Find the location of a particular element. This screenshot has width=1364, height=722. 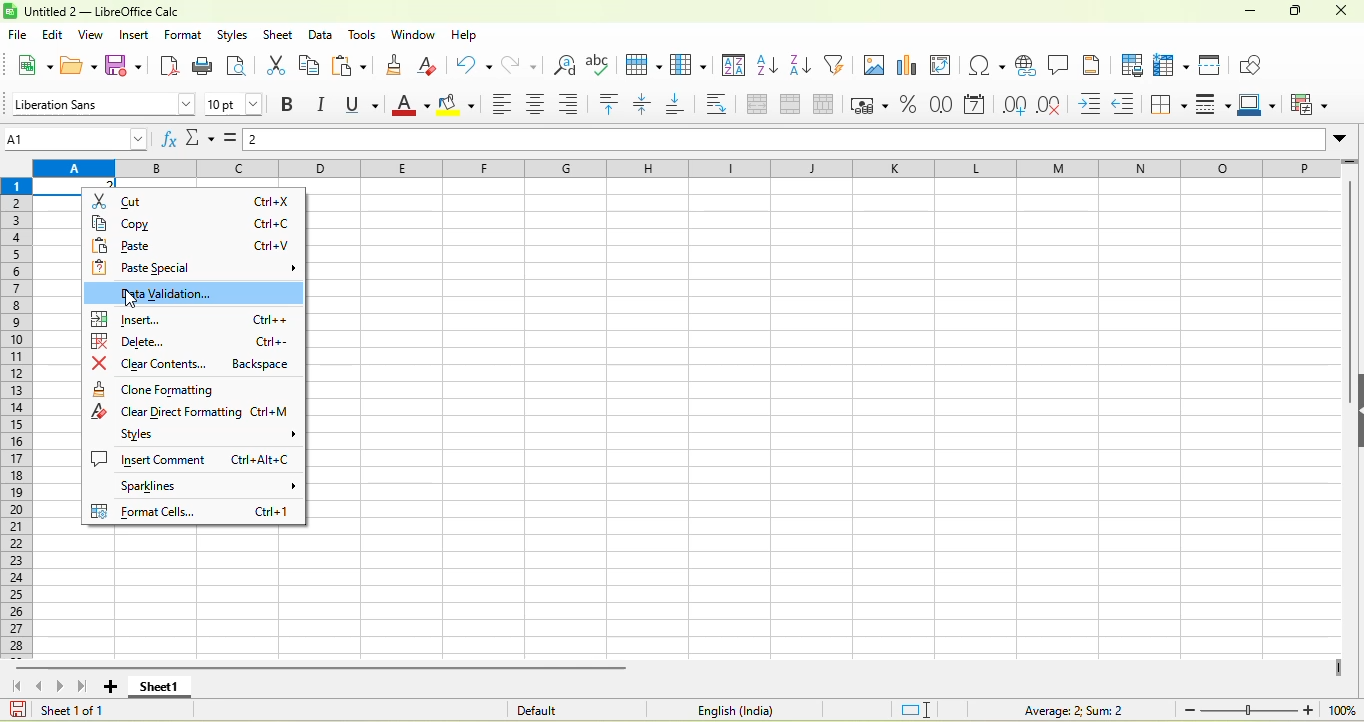

help is located at coordinates (464, 34).